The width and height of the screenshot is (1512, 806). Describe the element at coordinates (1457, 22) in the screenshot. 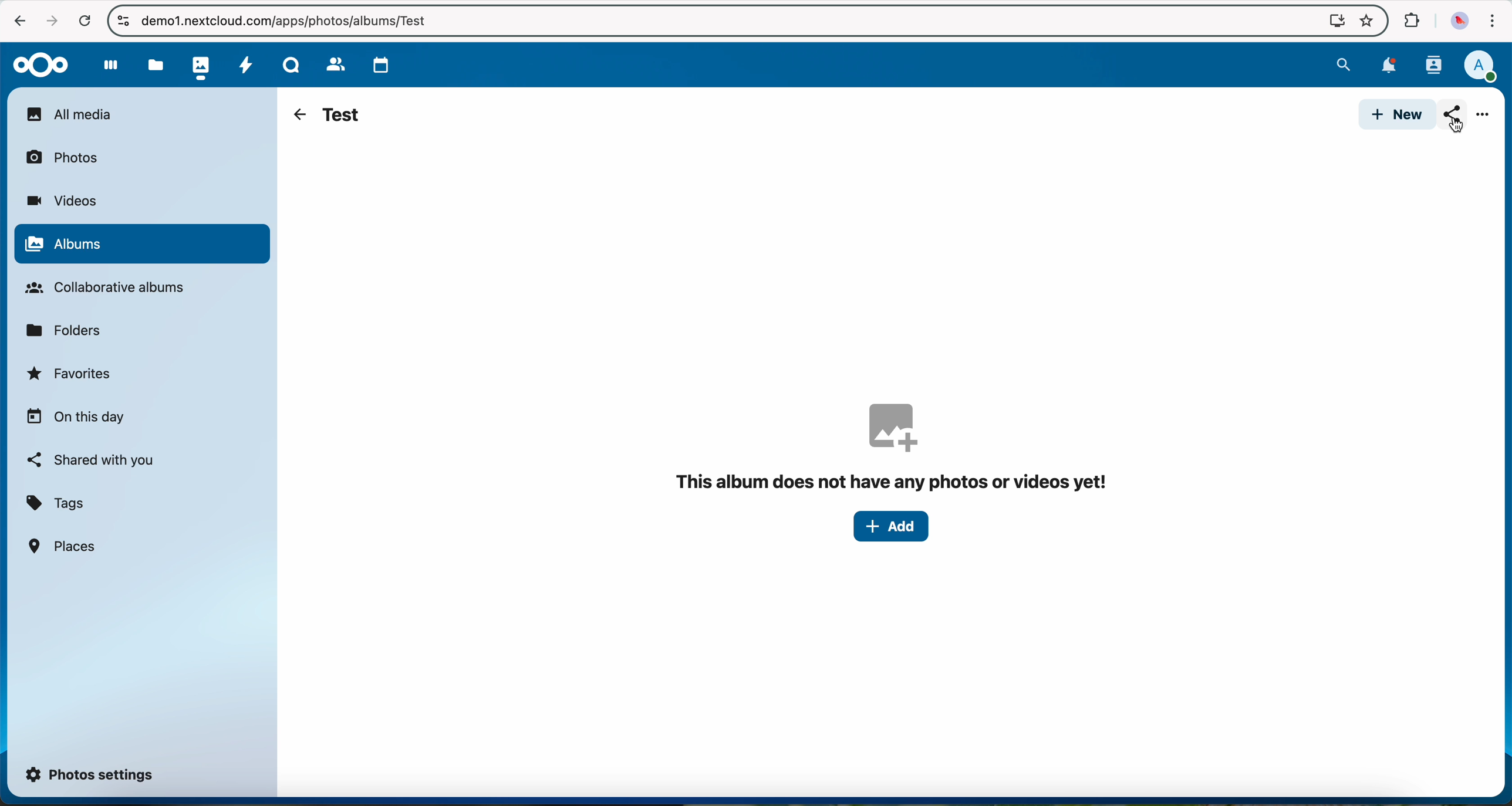

I see `profile picture` at that location.